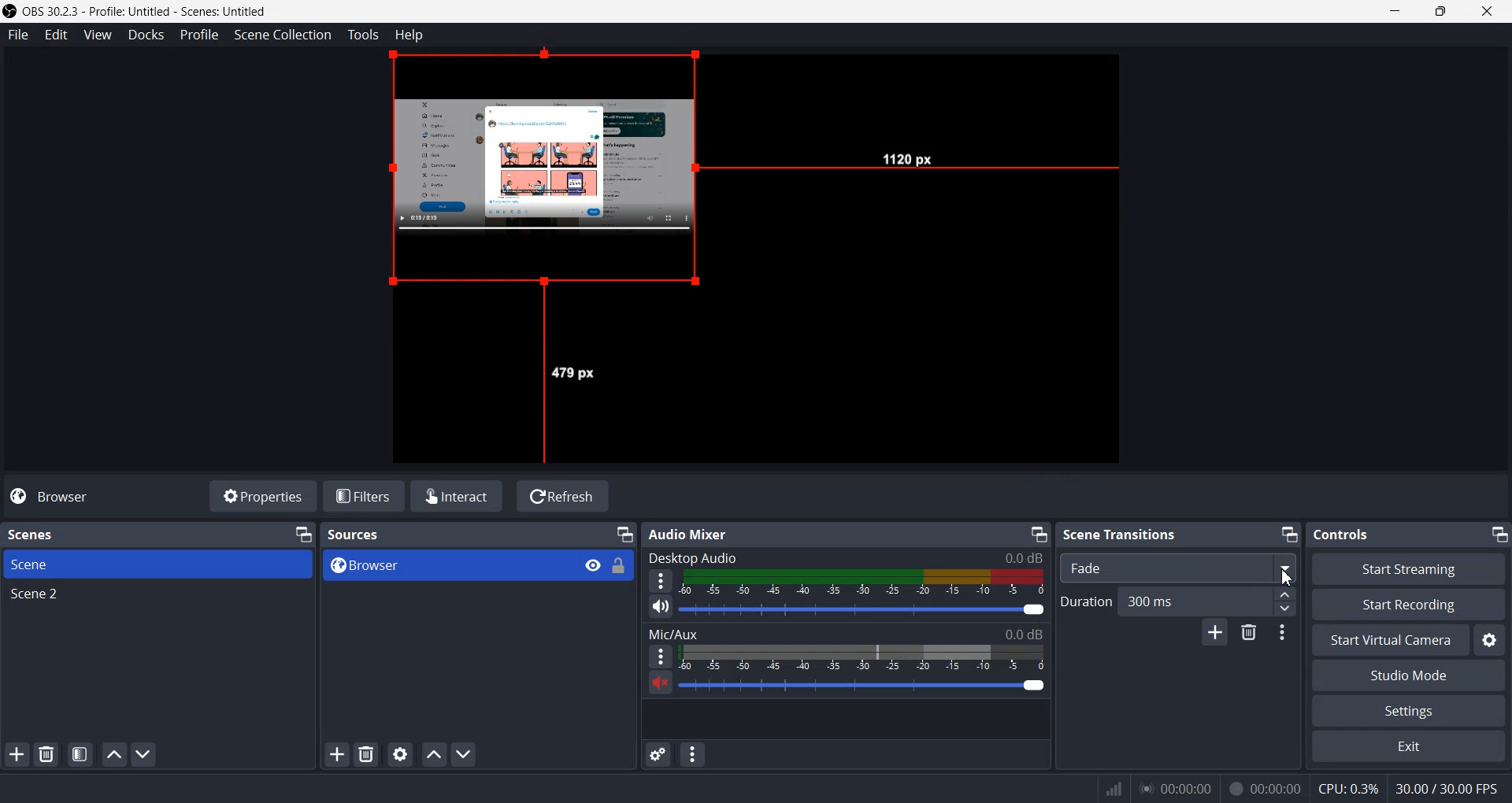 The image size is (1512, 803). I want to click on Add scene, so click(17, 754).